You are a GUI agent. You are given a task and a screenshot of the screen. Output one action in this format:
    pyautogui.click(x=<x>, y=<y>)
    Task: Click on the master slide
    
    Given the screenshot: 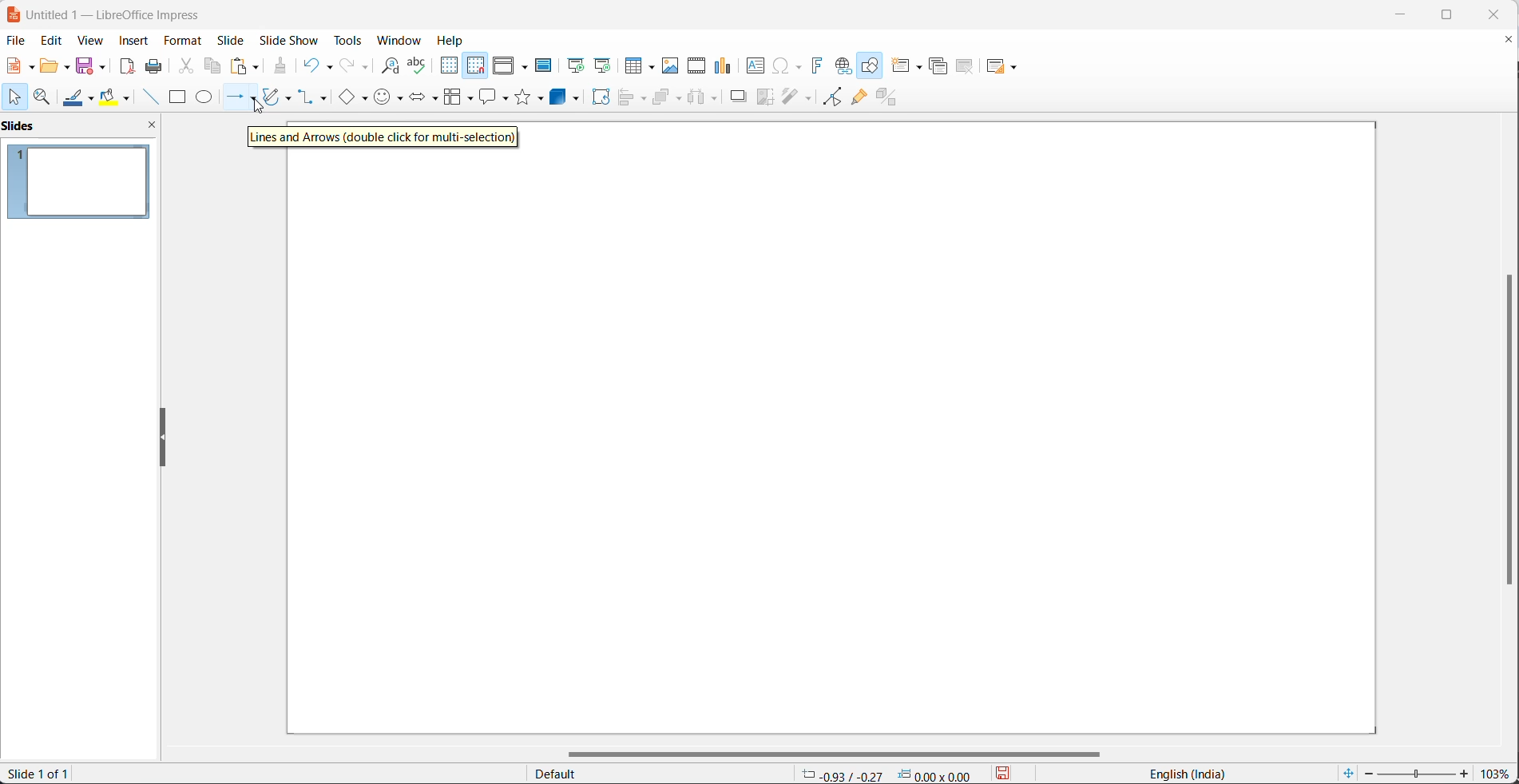 What is the action you would take?
    pyautogui.click(x=545, y=66)
    